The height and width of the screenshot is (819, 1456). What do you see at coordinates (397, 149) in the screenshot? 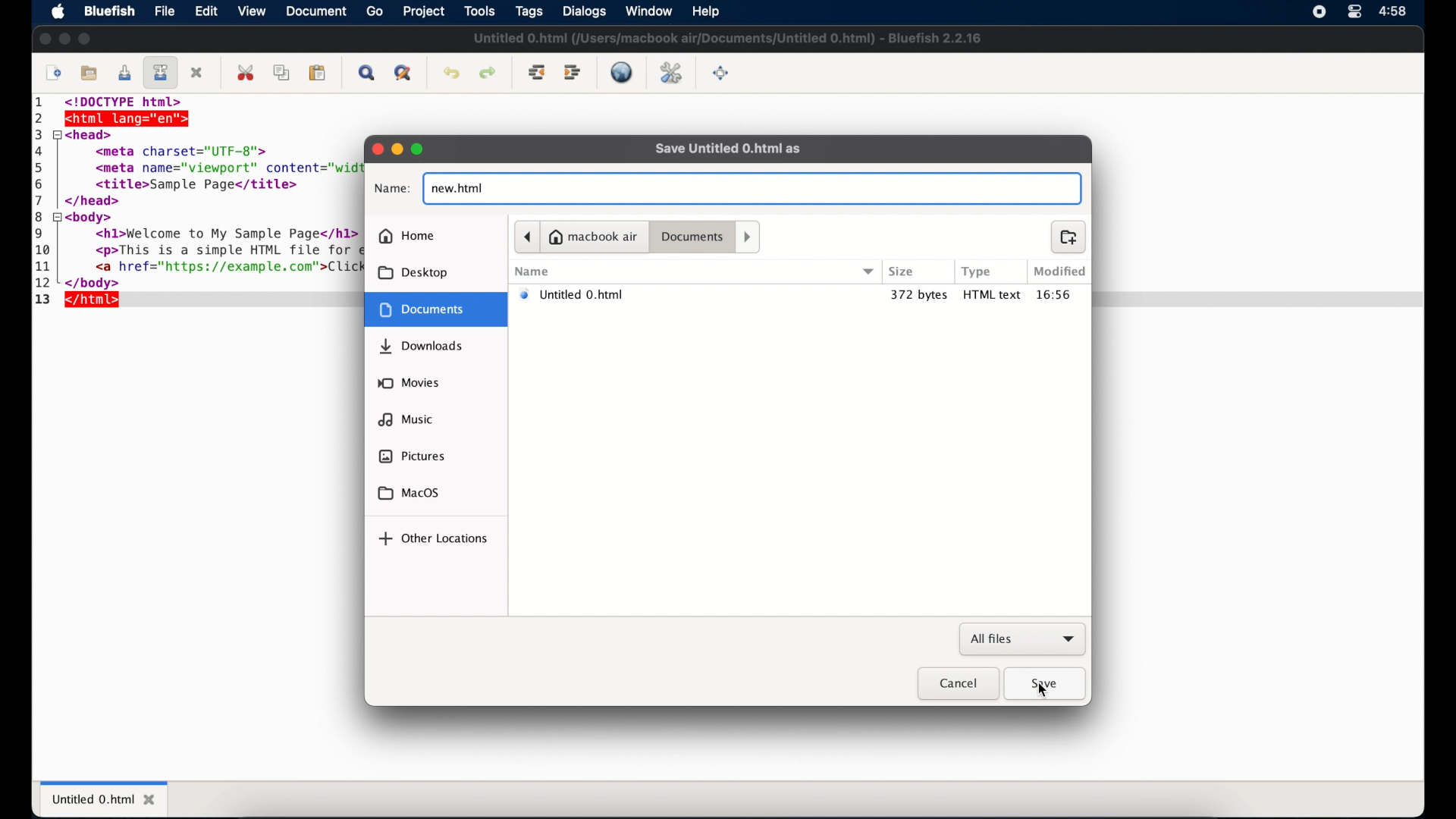
I see `minimize` at bounding box center [397, 149].